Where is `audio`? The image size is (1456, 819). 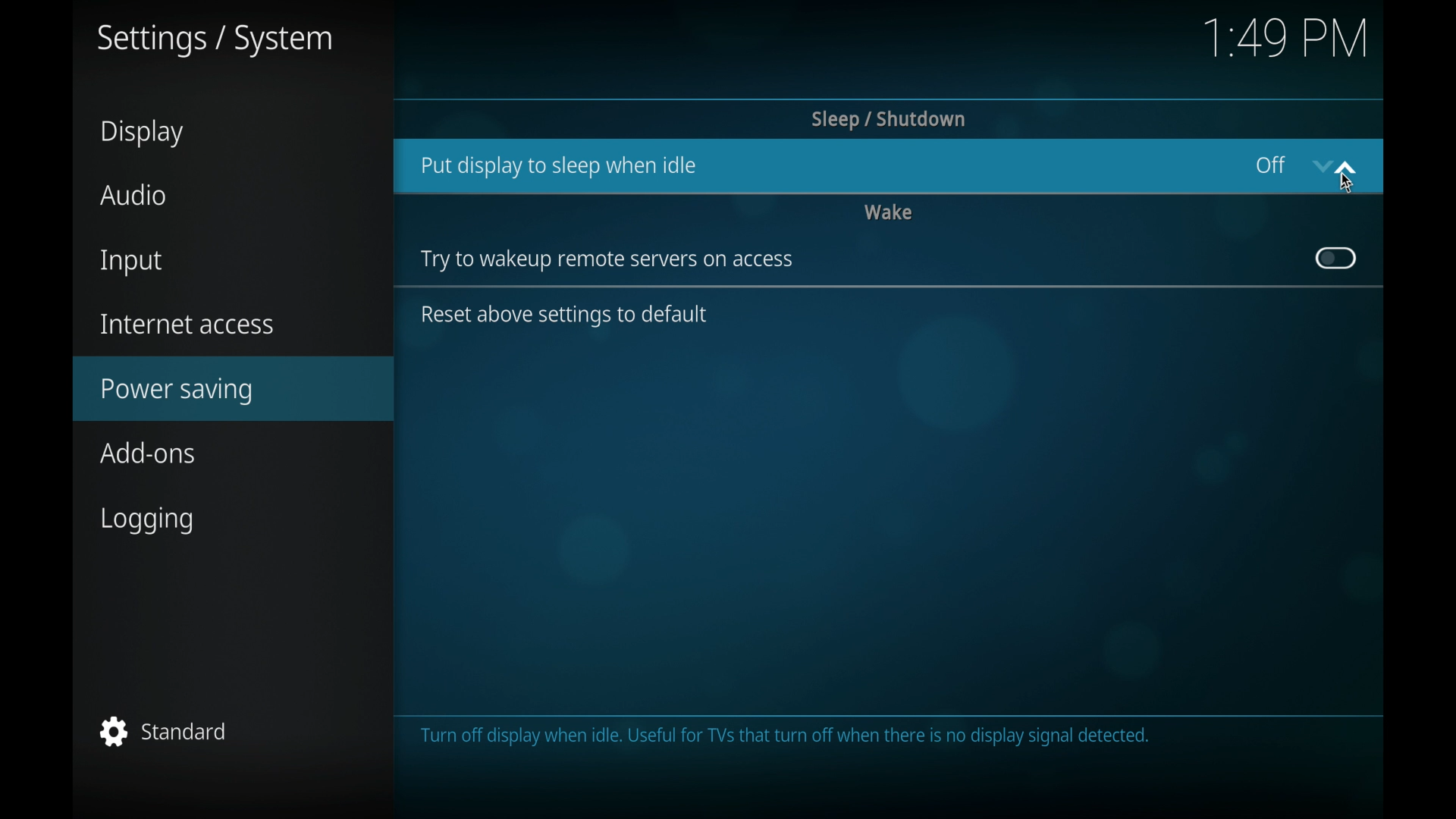 audio is located at coordinates (133, 196).